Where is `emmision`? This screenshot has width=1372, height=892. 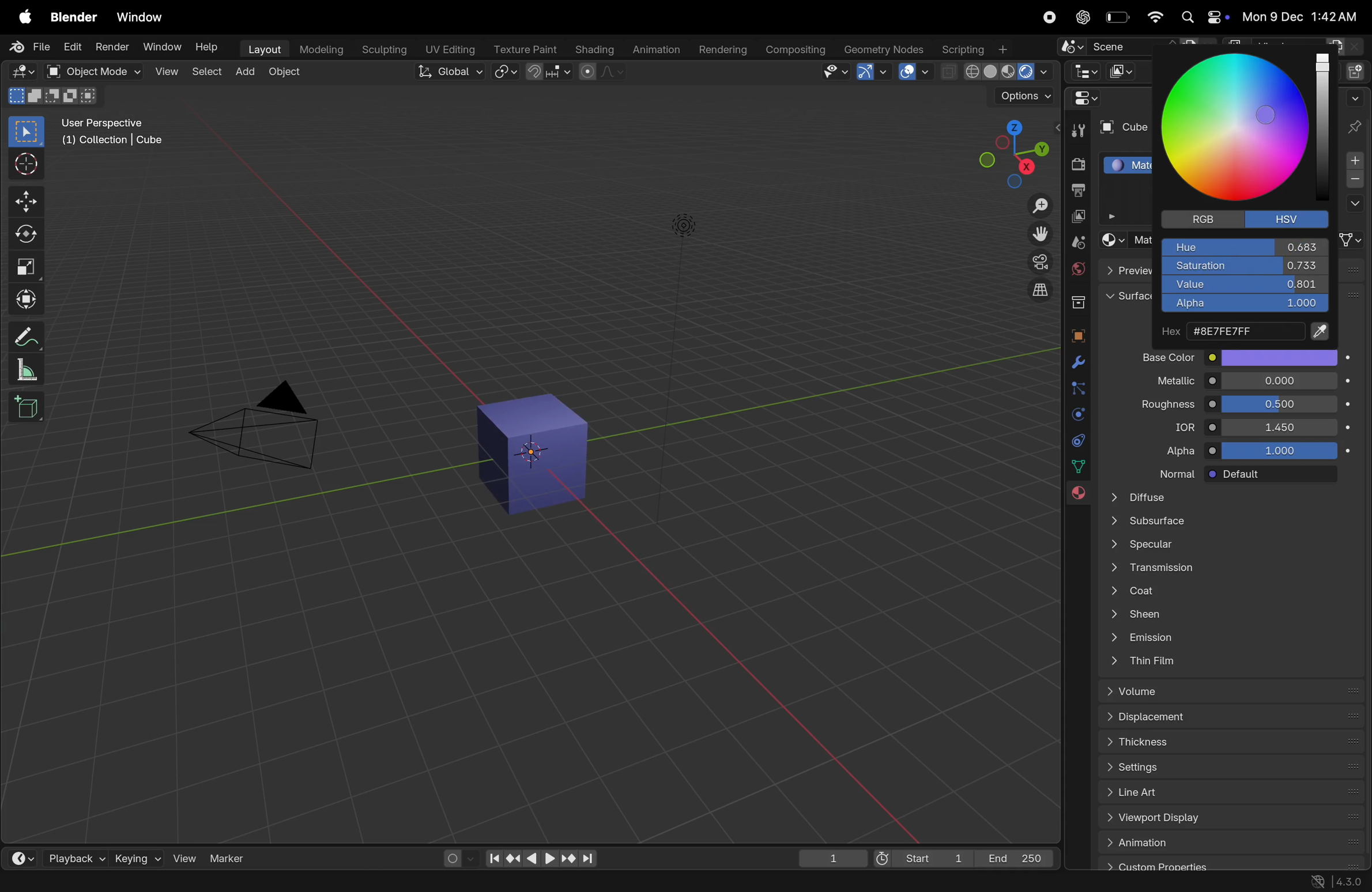
emmision is located at coordinates (1227, 640).